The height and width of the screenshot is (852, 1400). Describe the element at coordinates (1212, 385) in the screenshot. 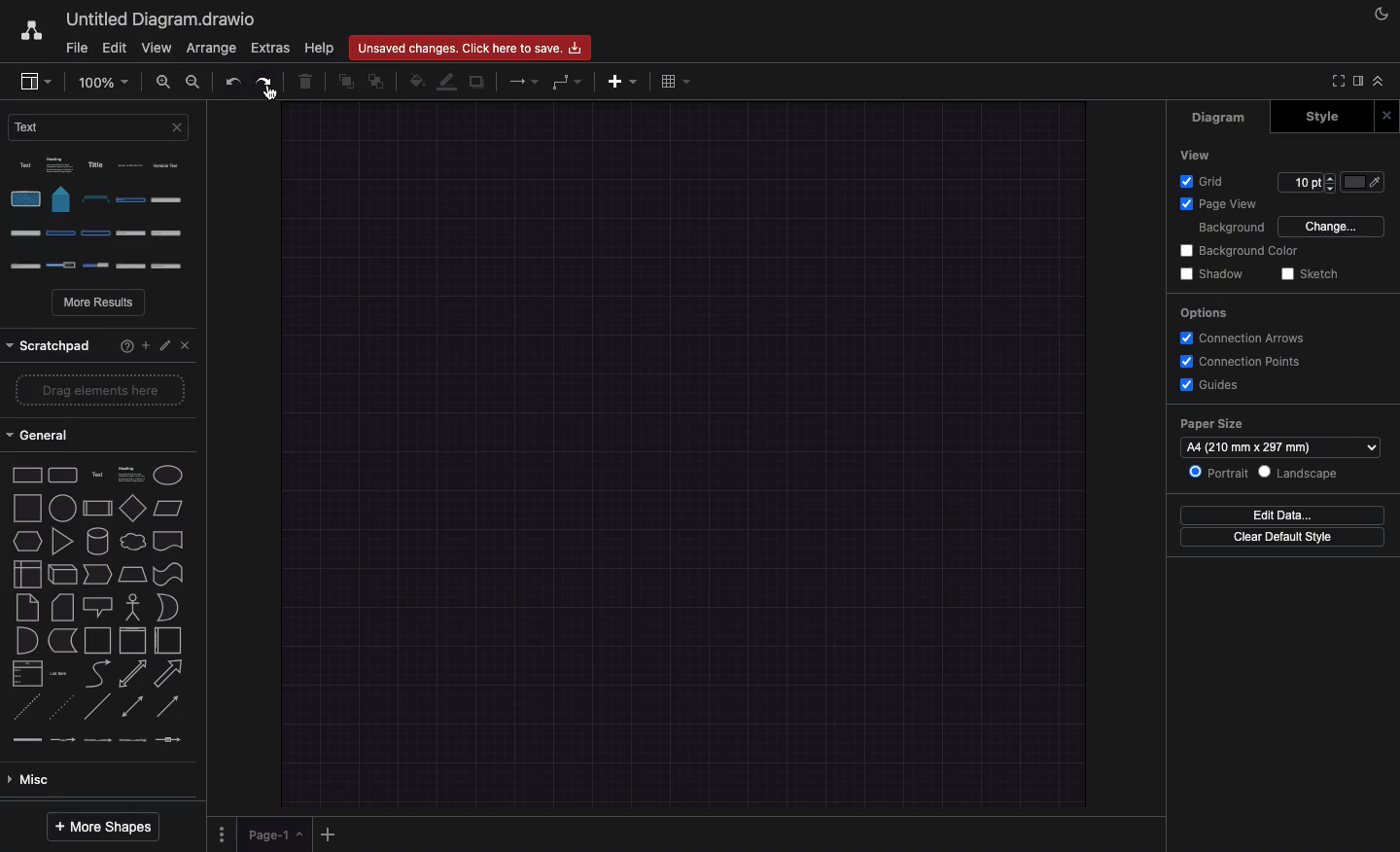

I see `Guides` at that location.